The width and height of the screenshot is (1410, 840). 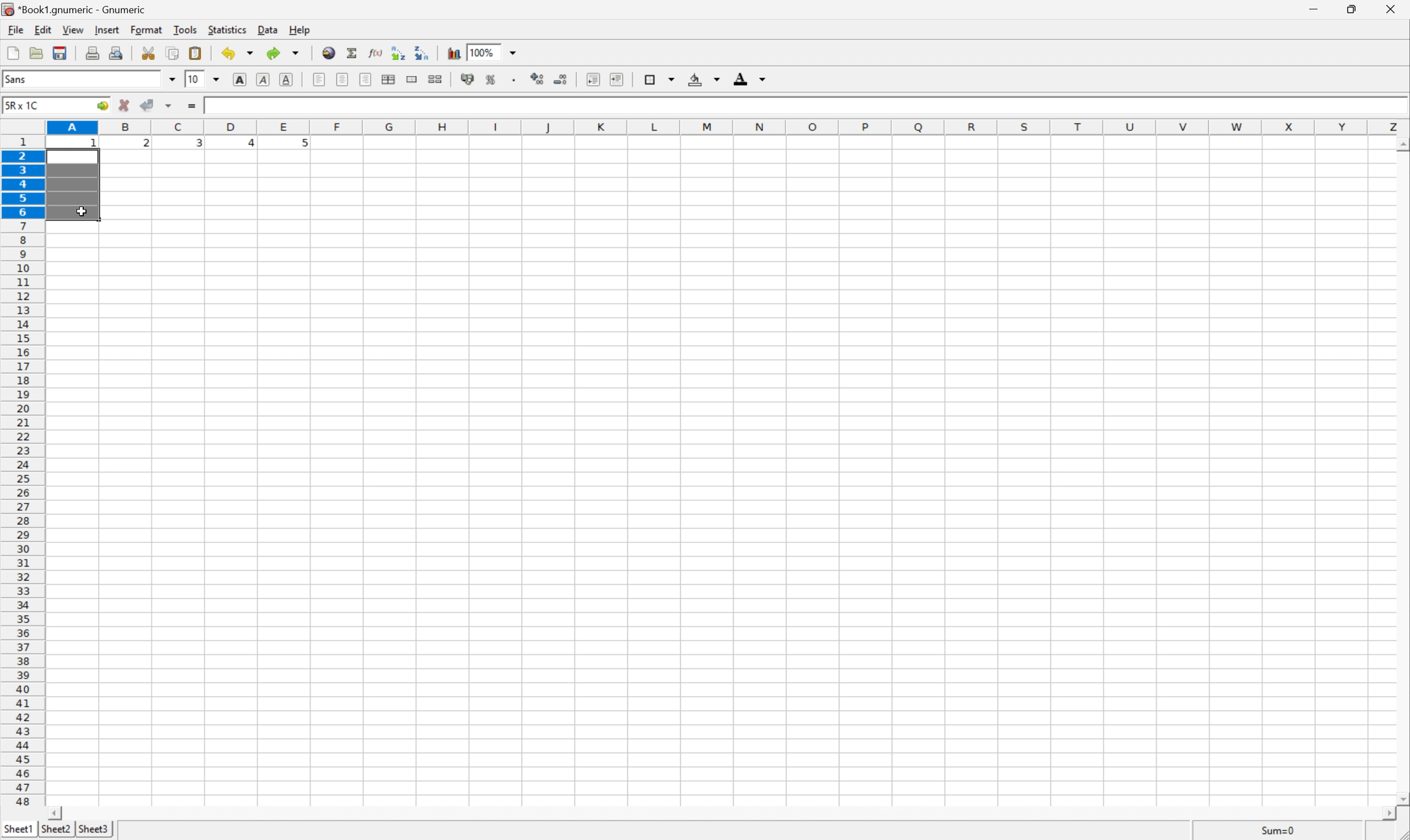 What do you see at coordinates (559, 79) in the screenshot?
I see `decrease number of decimals displayed` at bounding box center [559, 79].